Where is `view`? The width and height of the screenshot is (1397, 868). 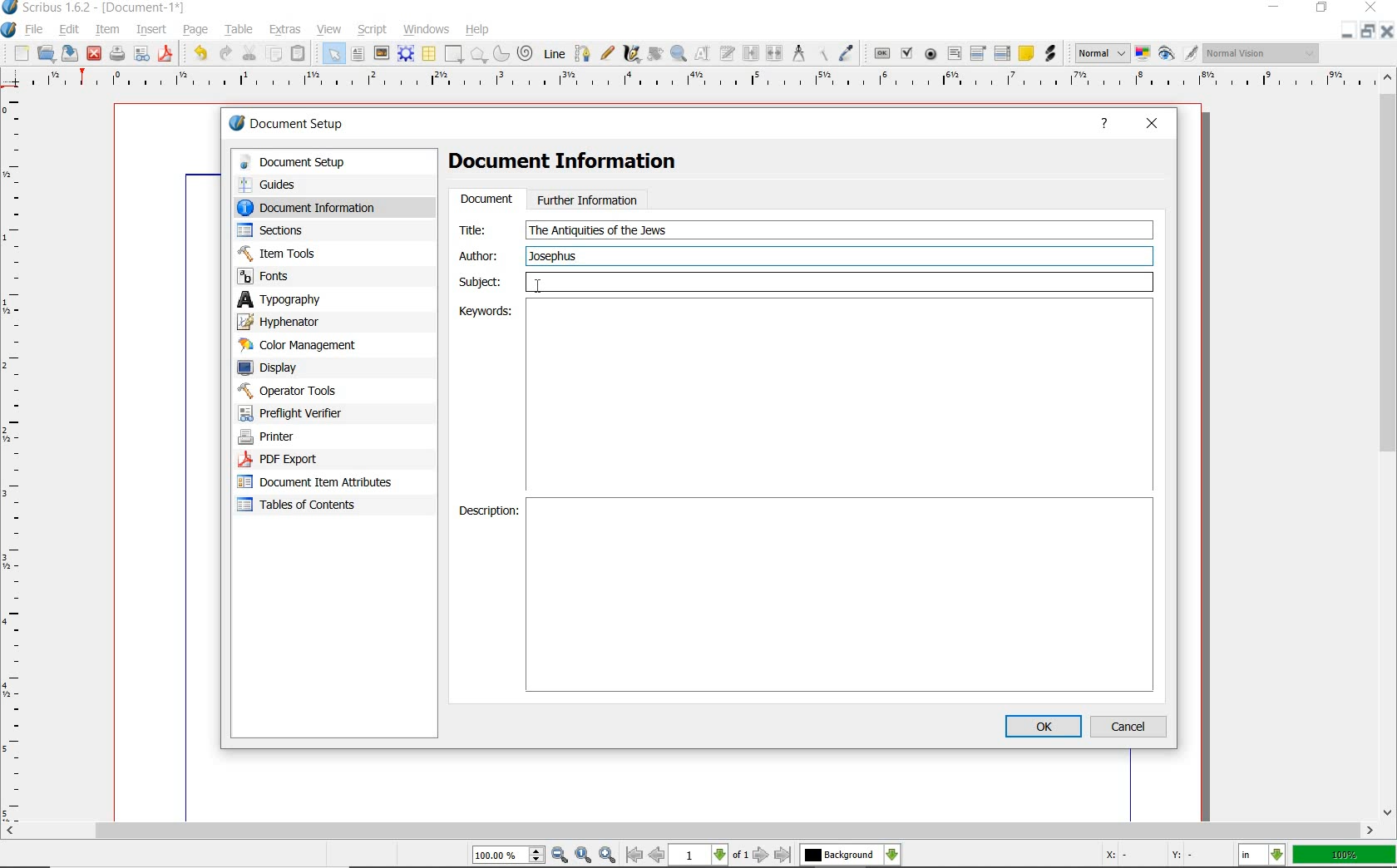 view is located at coordinates (328, 29).